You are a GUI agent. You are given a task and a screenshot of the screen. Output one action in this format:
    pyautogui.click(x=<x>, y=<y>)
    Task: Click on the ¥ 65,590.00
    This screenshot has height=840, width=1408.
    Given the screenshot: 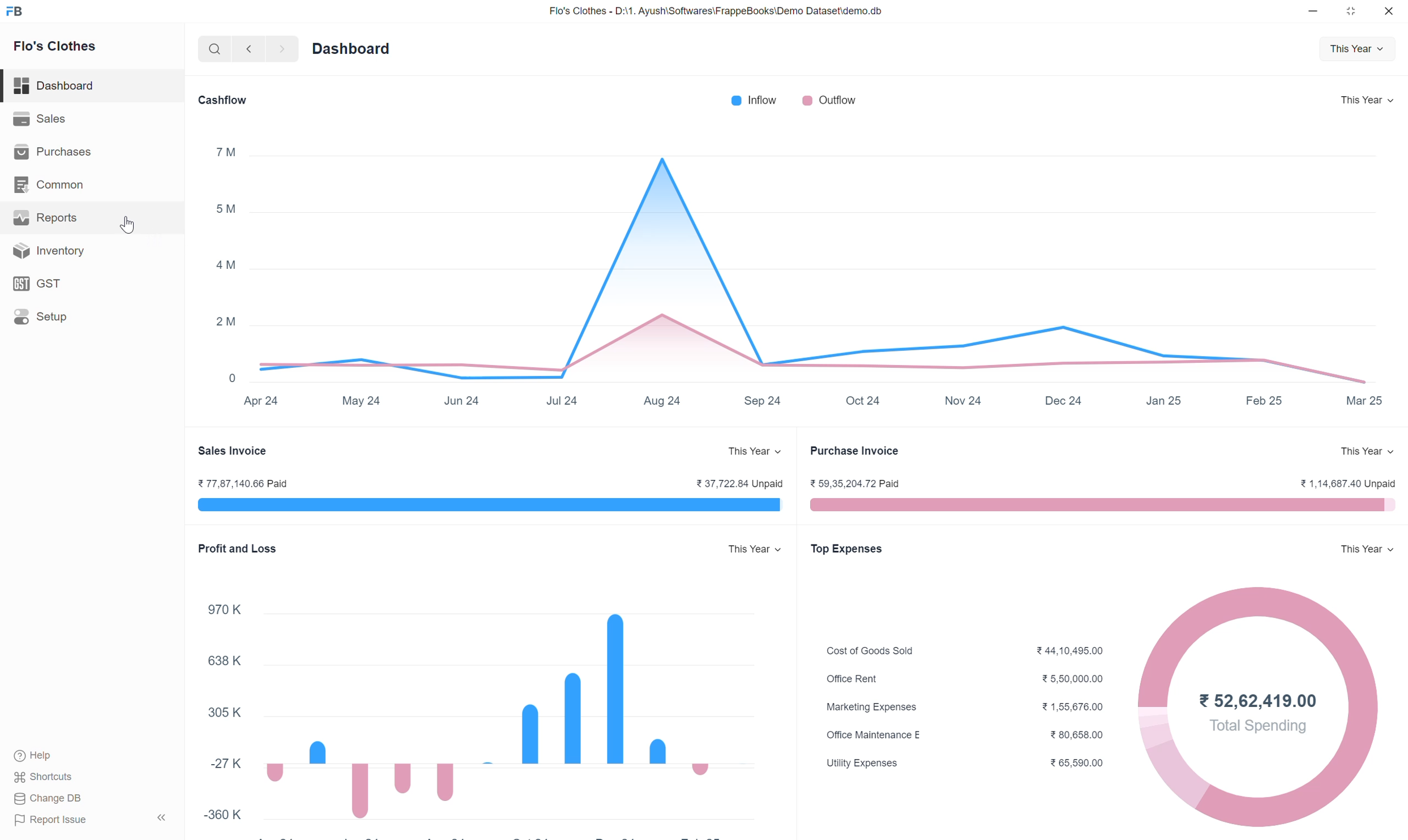 What is the action you would take?
    pyautogui.click(x=1079, y=765)
    